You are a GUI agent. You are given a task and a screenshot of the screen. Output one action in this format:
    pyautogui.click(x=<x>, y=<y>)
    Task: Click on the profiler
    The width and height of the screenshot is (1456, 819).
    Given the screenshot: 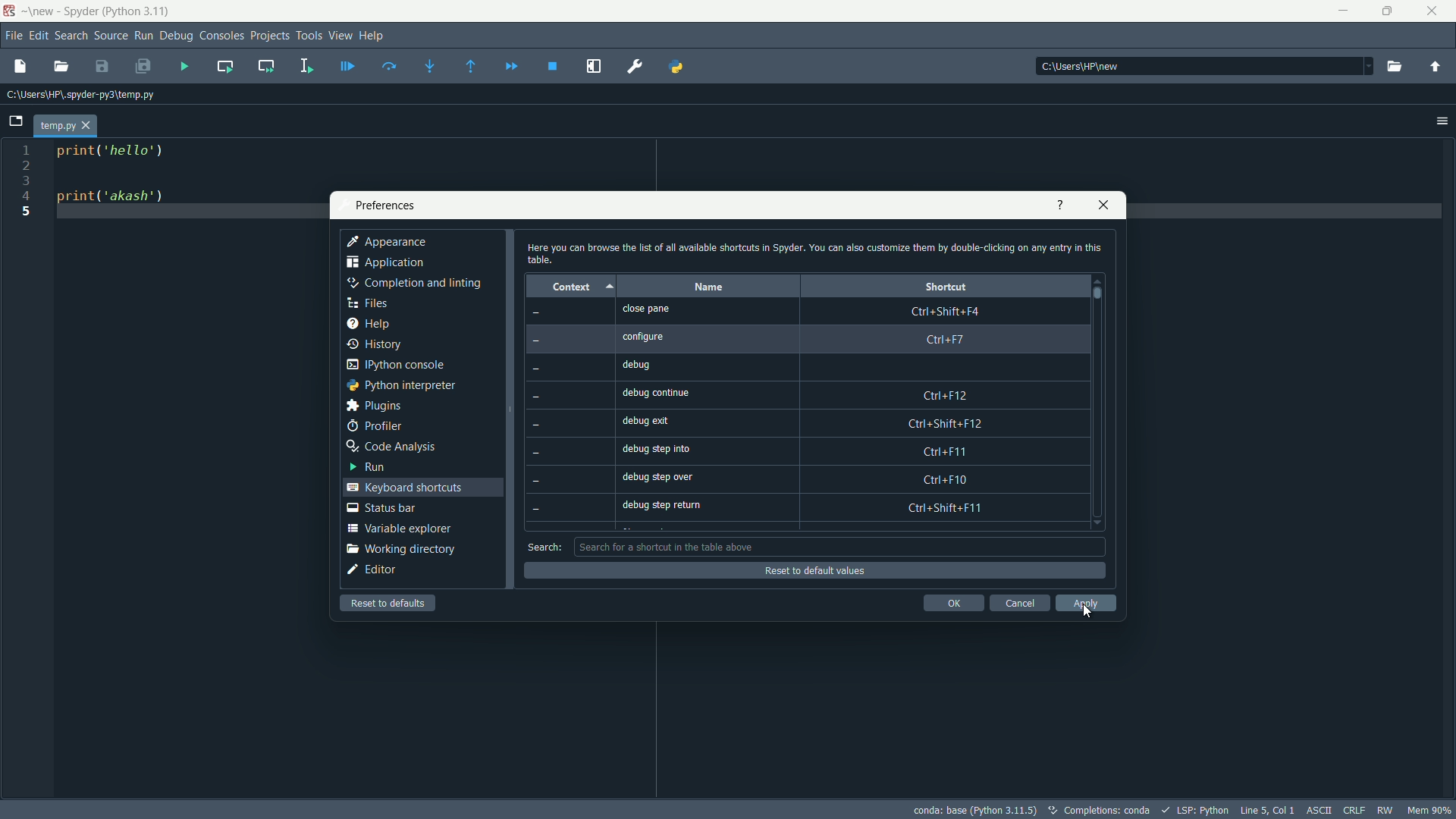 What is the action you would take?
    pyautogui.click(x=375, y=426)
    